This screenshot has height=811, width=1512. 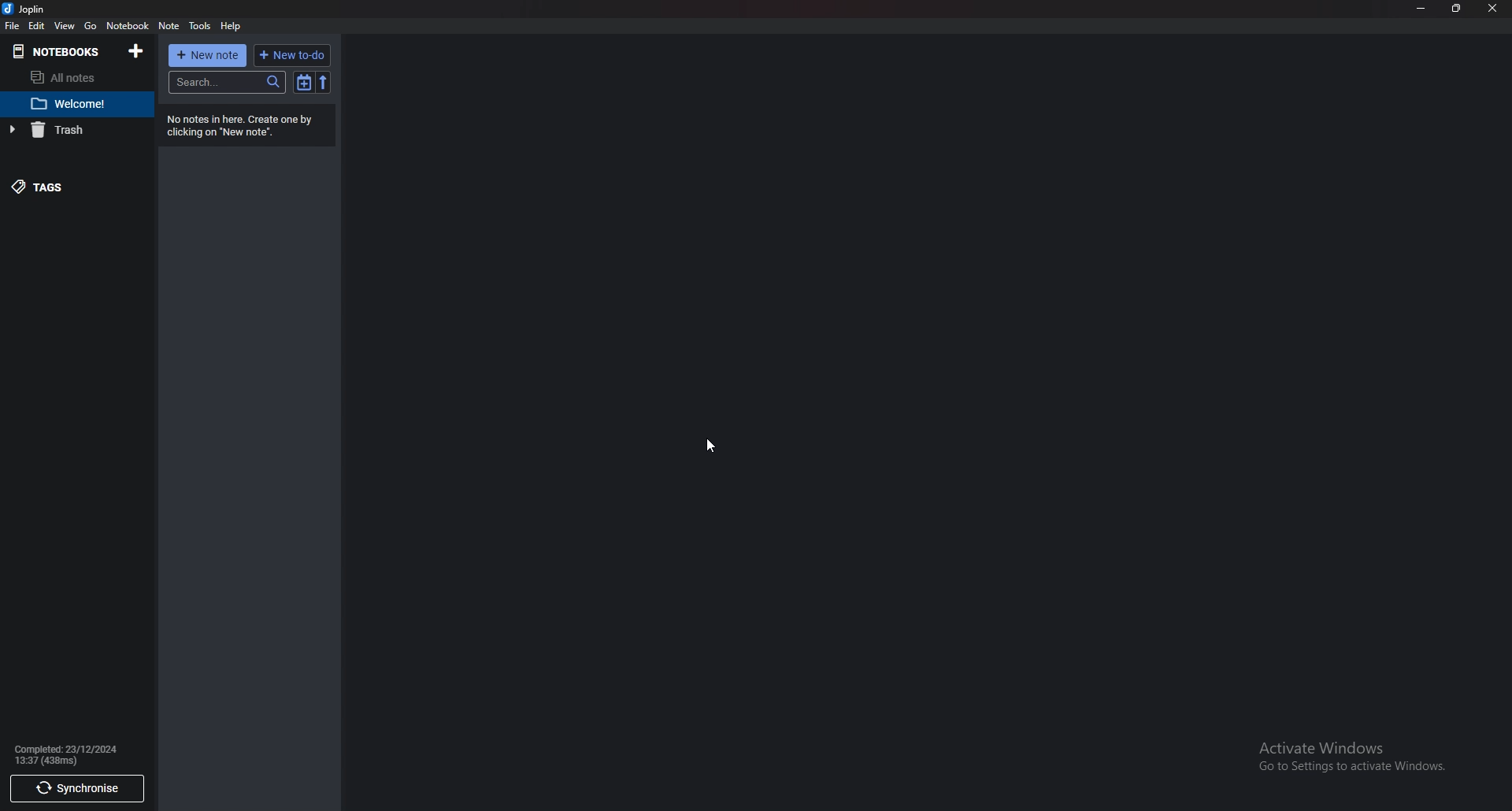 What do you see at coordinates (80, 106) in the screenshot?
I see `Welcome` at bounding box center [80, 106].